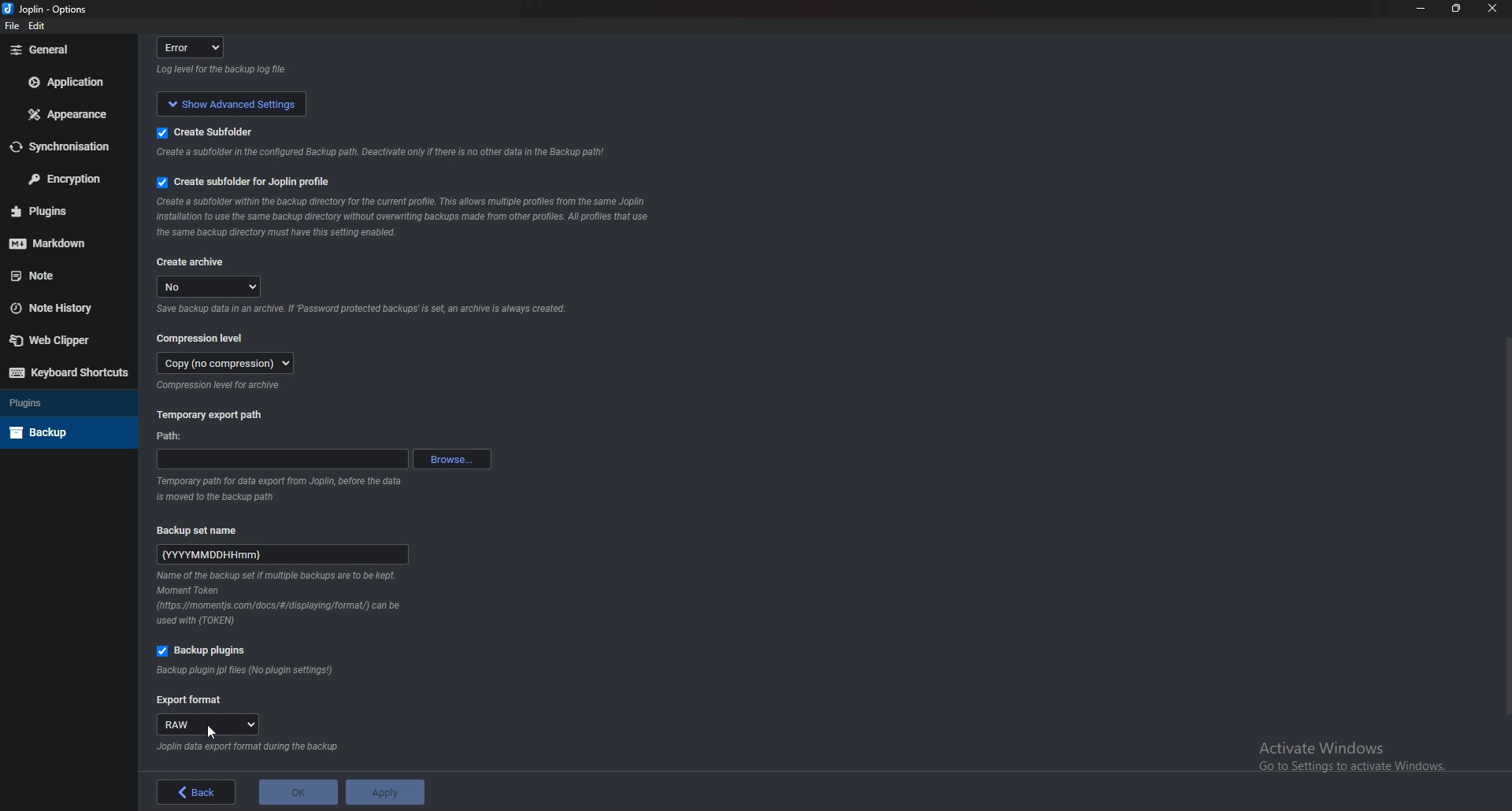 The height and width of the screenshot is (811, 1512). Describe the element at coordinates (13, 27) in the screenshot. I see `file` at that location.